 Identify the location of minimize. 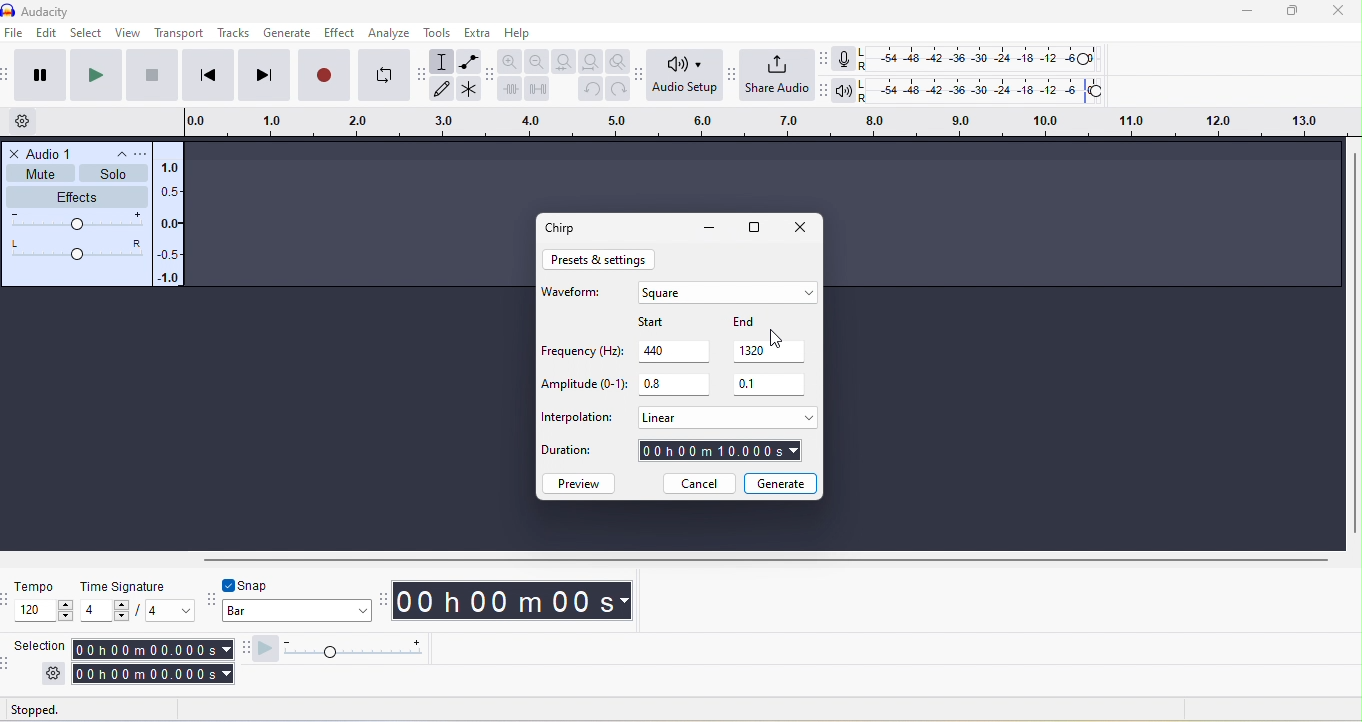
(1250, 11).